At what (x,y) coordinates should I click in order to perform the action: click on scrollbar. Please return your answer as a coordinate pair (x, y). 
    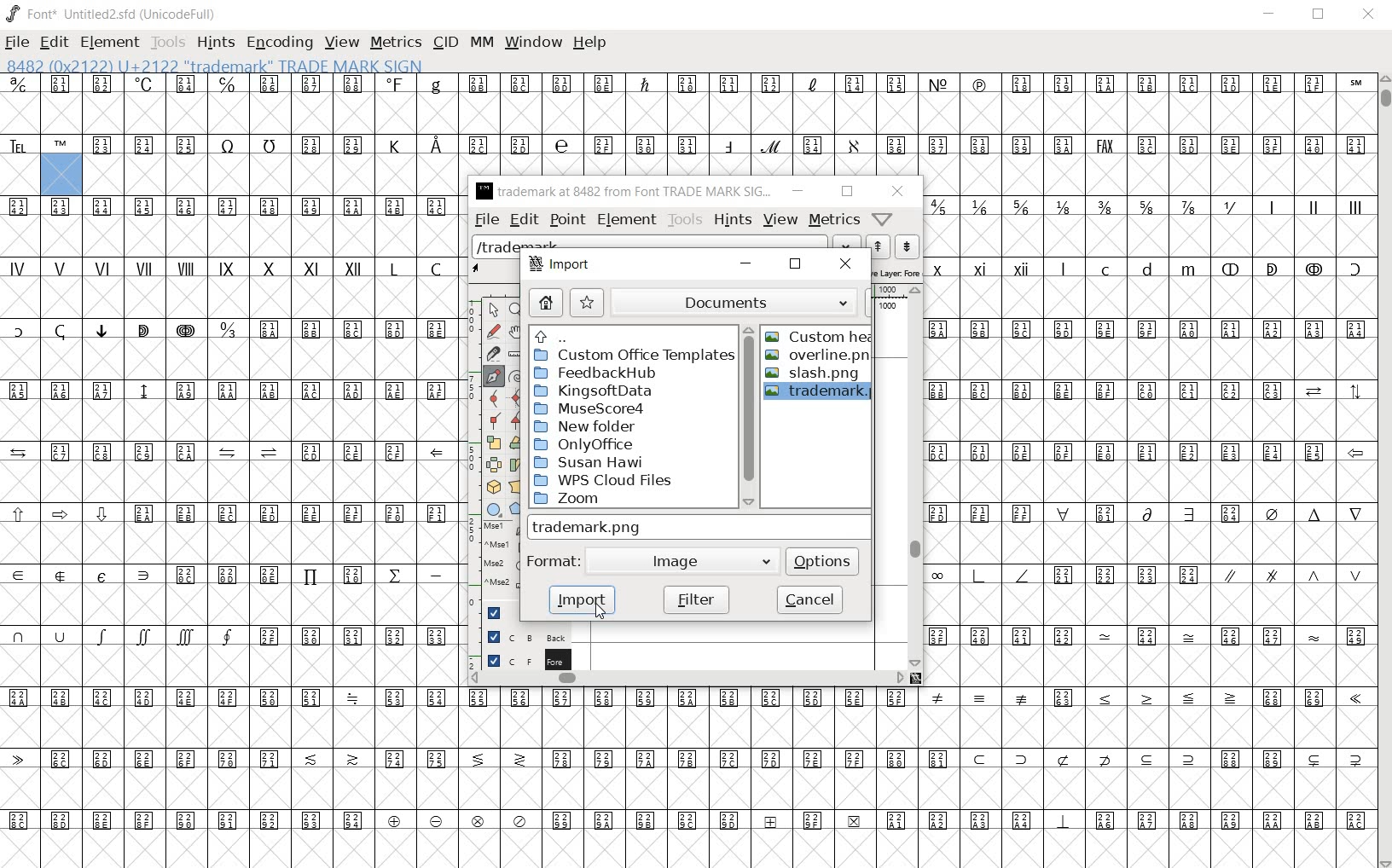
    Looking at the image, I should click on (747, 417).